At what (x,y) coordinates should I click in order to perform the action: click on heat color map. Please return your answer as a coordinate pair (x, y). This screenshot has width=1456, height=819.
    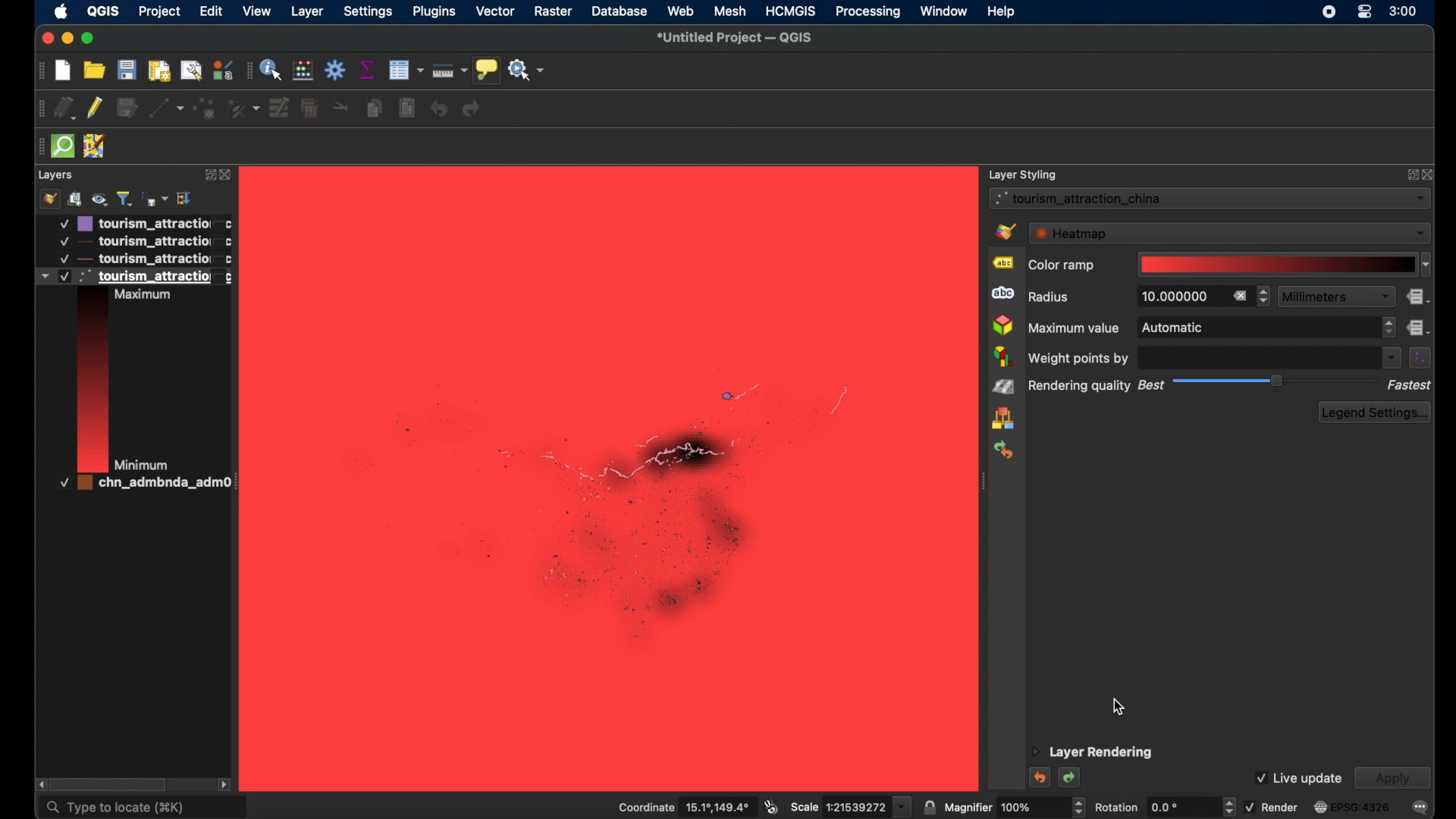
    Looking at the image, I should click on (621, 489).